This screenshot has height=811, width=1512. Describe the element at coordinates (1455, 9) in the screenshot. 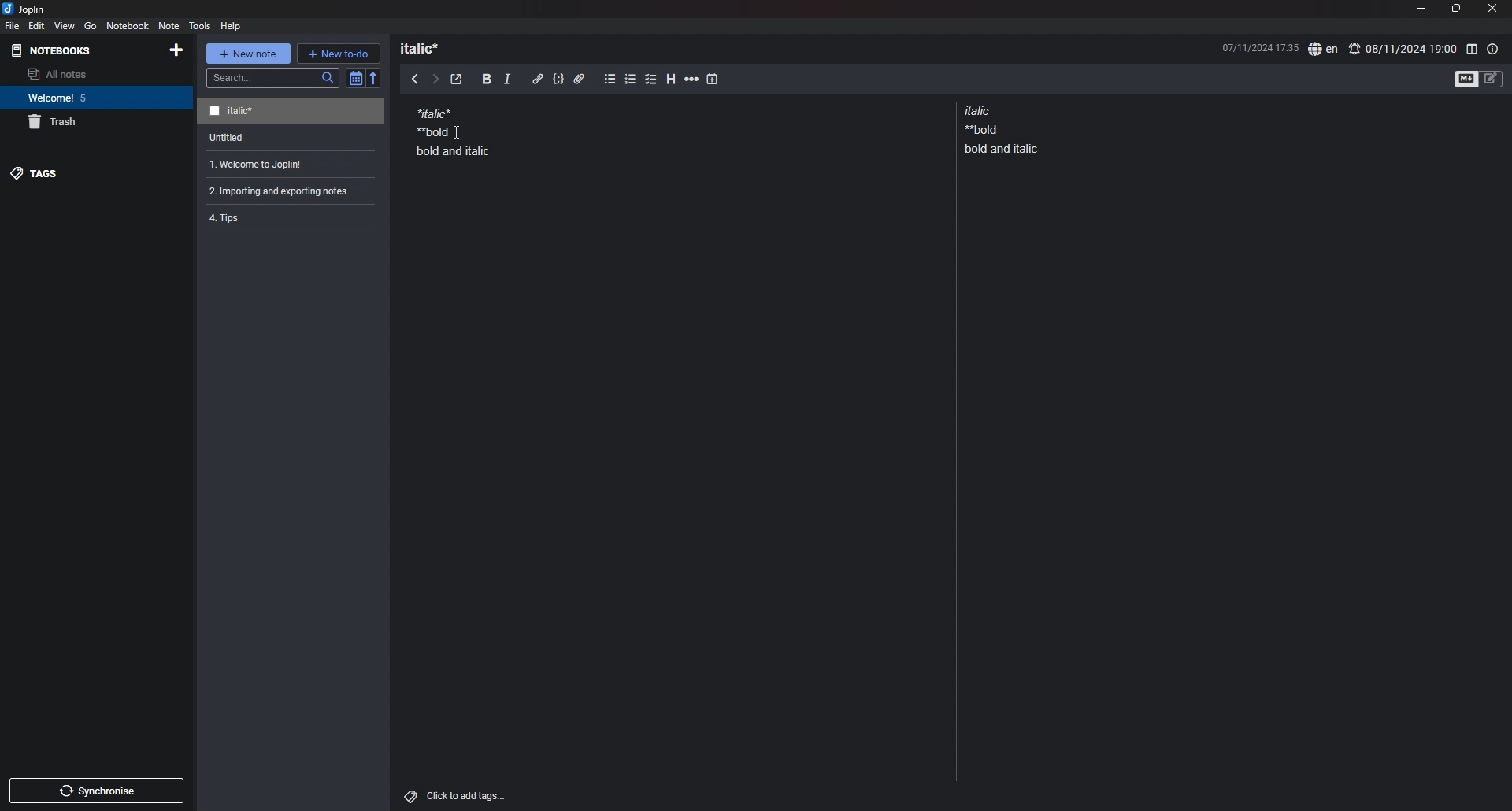

I see `resize` at that location.